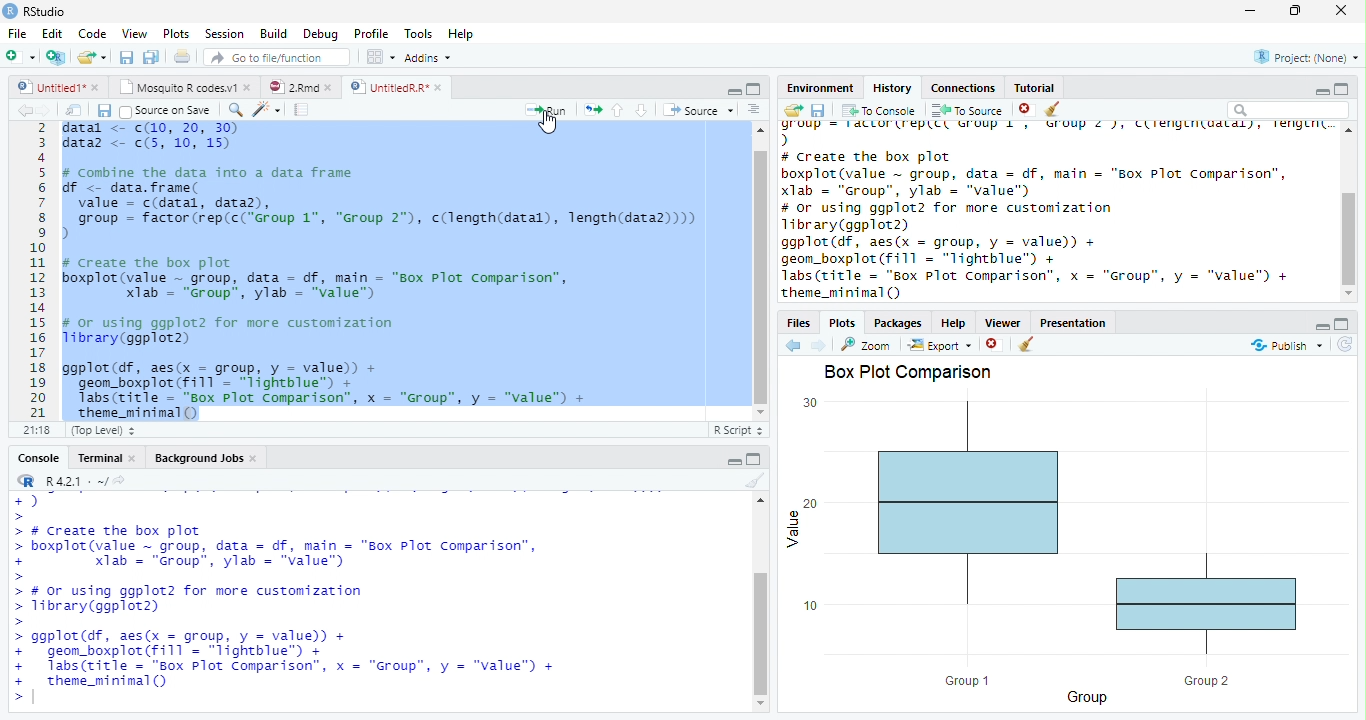 This screenshot has height=720, width=1366. What do you see at coordinates (1321, 326) in the screenshot?
I see `Minimize` at bounding box center [1321, 326].